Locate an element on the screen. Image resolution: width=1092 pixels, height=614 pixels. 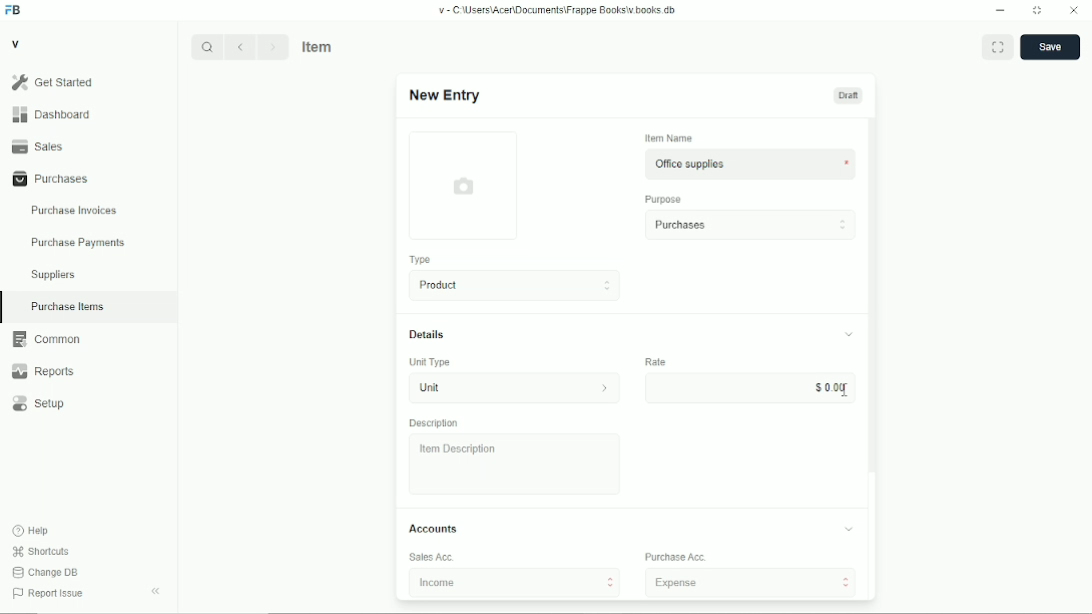
FB is located at coordinates (14, 11).